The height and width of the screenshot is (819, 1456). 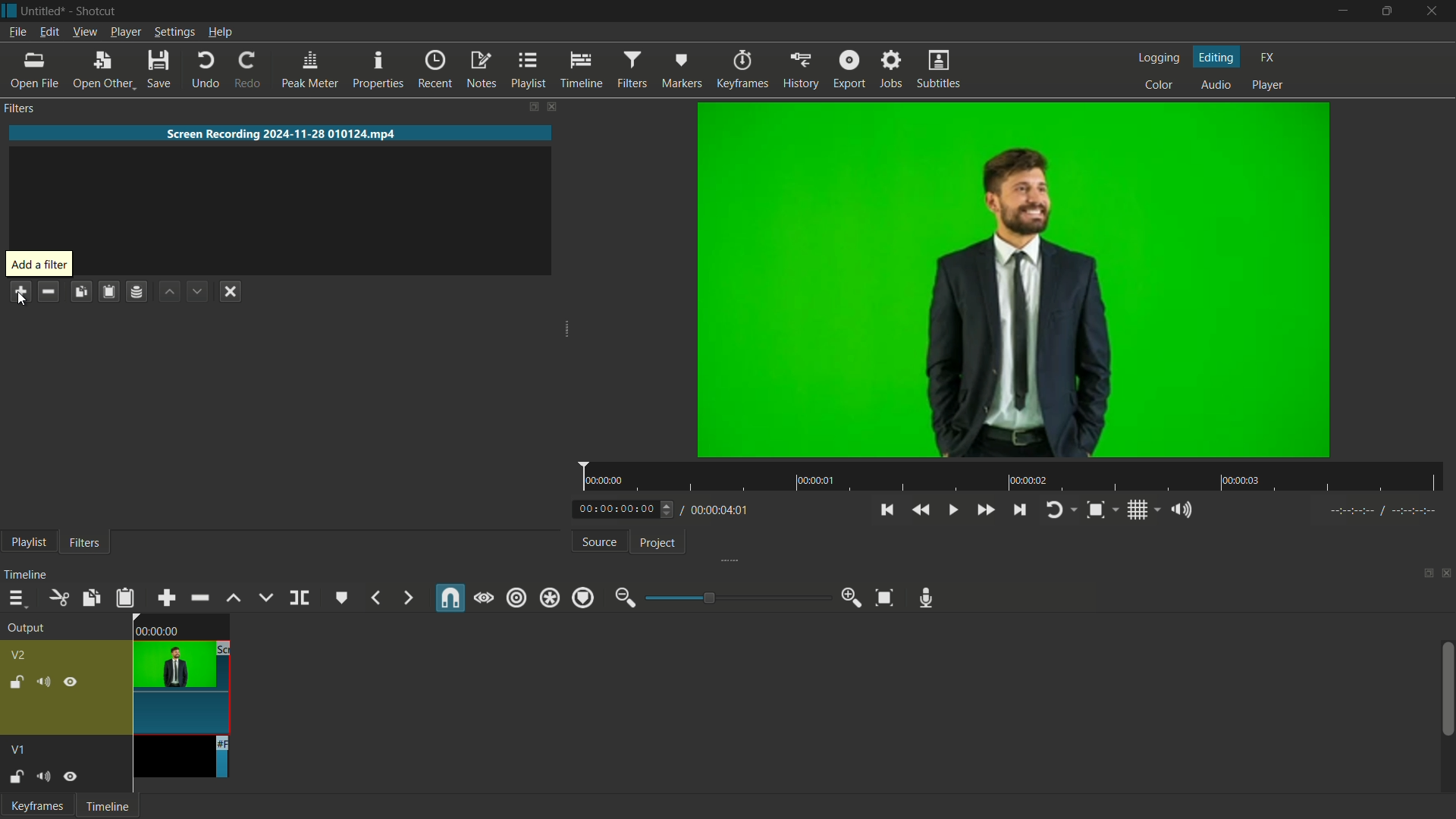 I want to click on toggle grid, so click(x=1137, y=510).